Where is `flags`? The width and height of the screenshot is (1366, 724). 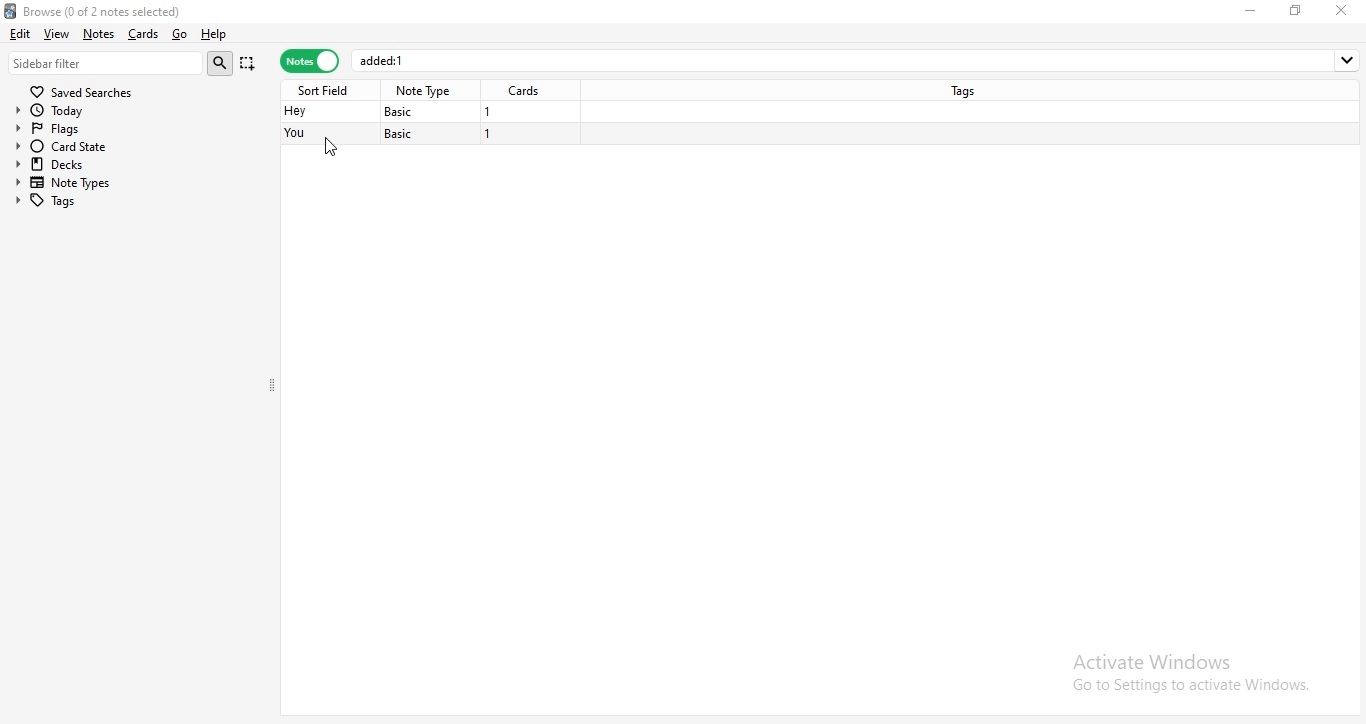
flags is located at coordinates (67, 127).